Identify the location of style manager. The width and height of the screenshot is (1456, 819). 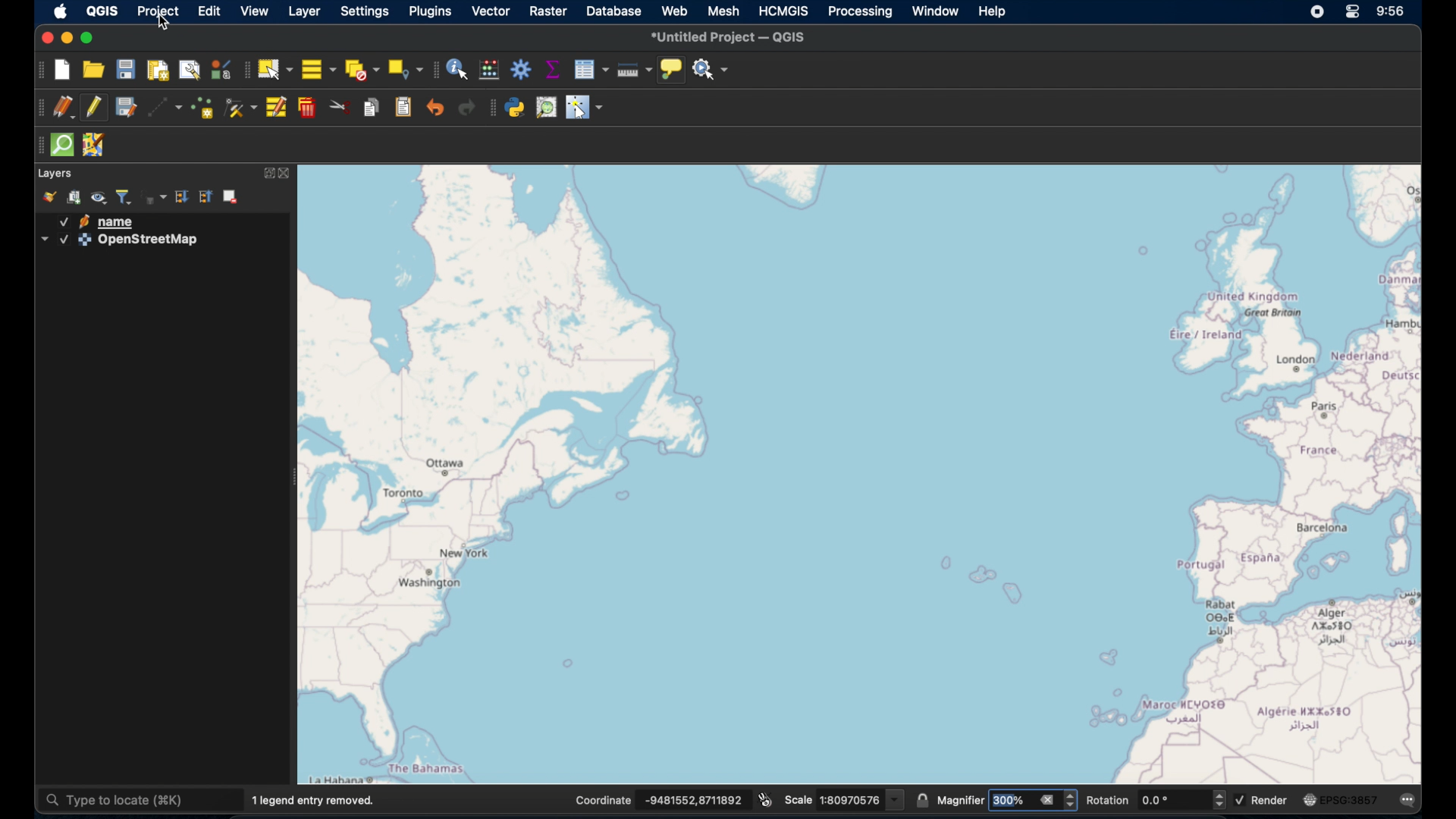
(220, 71).